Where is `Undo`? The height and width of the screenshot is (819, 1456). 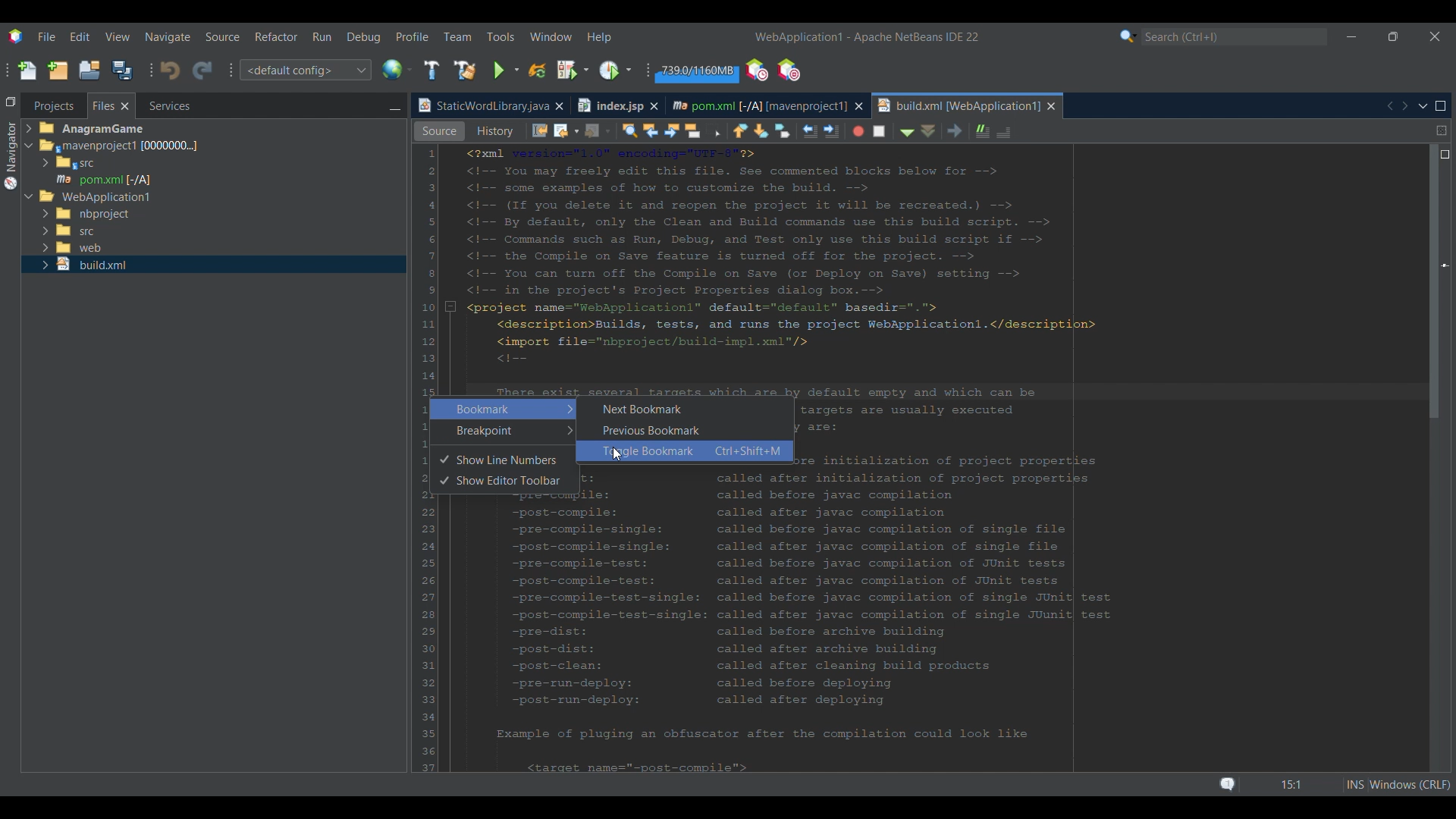
Undo is located at coordinates (170, 71).